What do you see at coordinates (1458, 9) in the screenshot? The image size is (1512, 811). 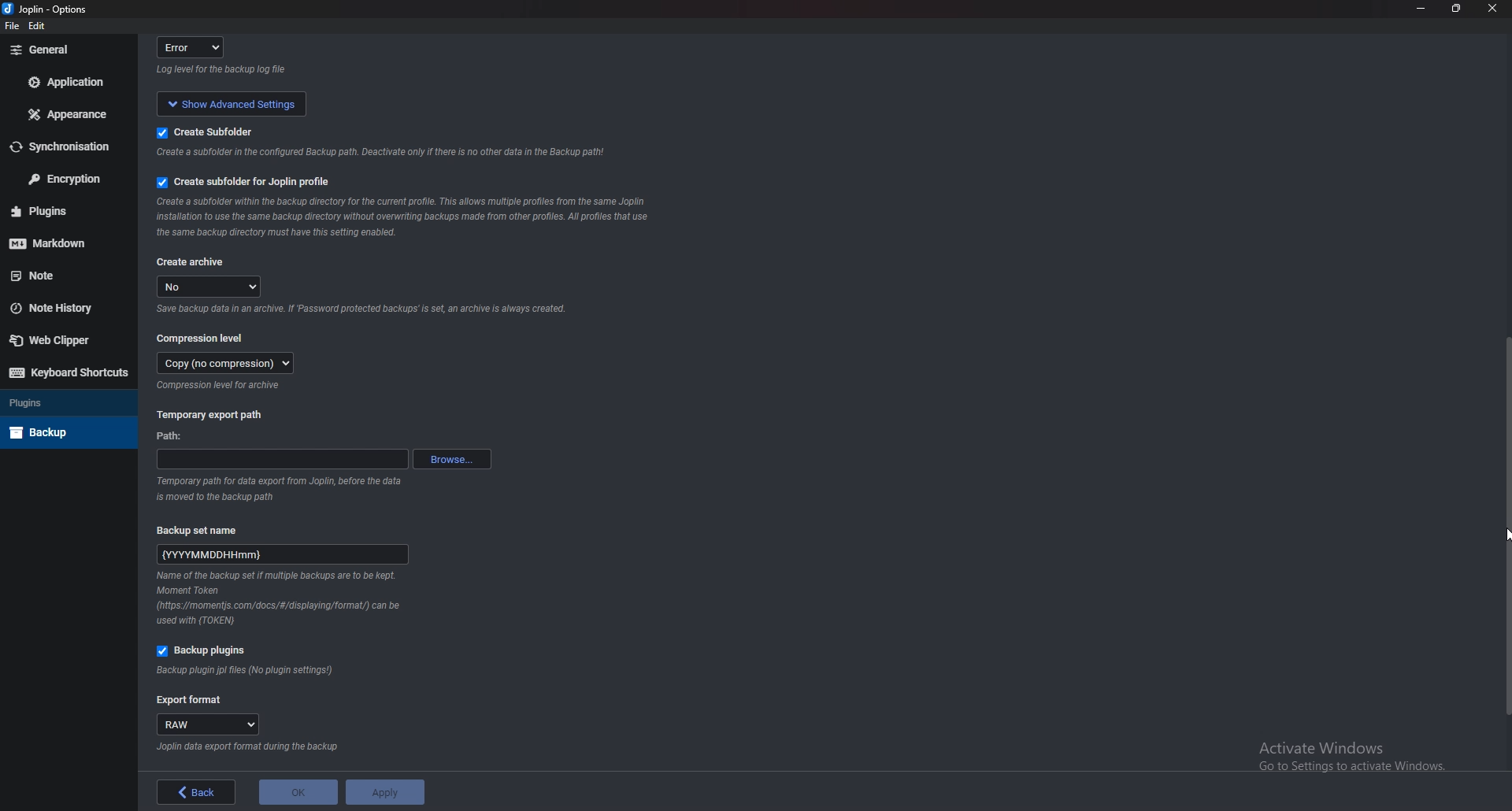 I see `Resize` at bounding box center [1458, 9].